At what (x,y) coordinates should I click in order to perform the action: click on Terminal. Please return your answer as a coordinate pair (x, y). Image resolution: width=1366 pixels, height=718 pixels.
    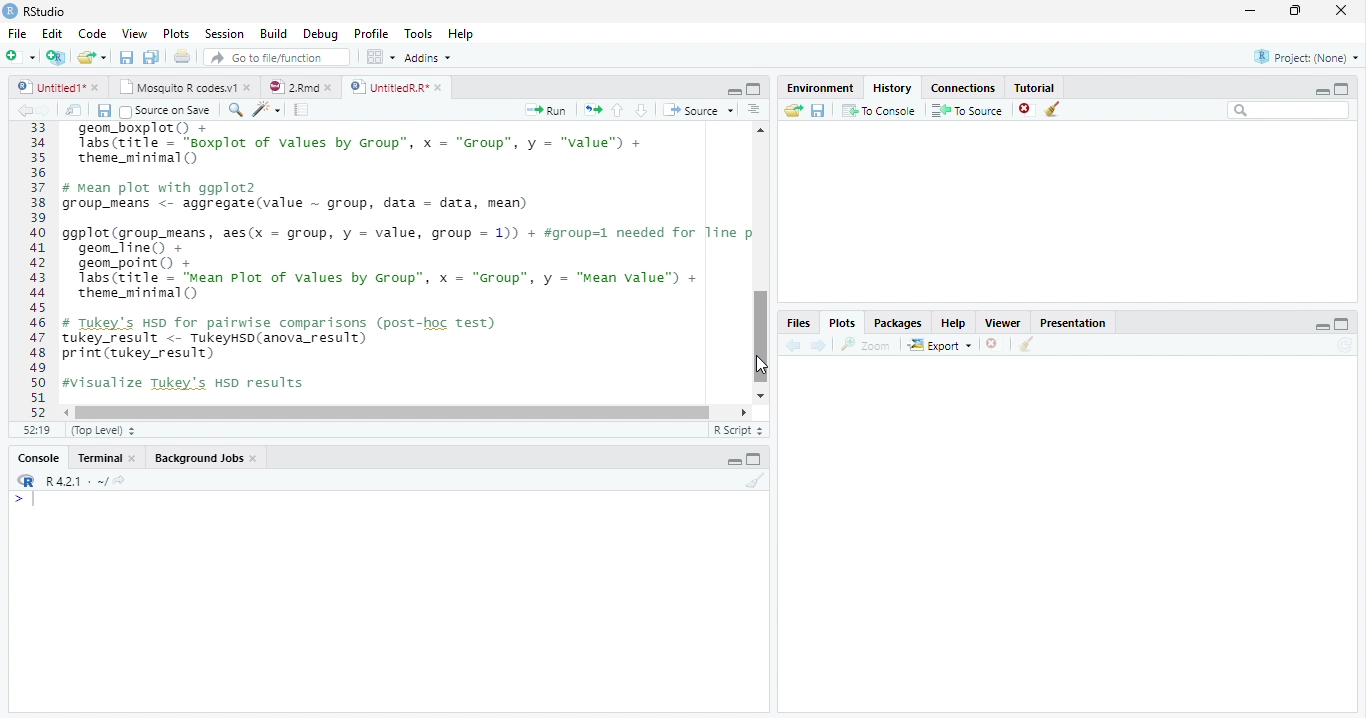
    Looking at the image, I should click on (108, 458).